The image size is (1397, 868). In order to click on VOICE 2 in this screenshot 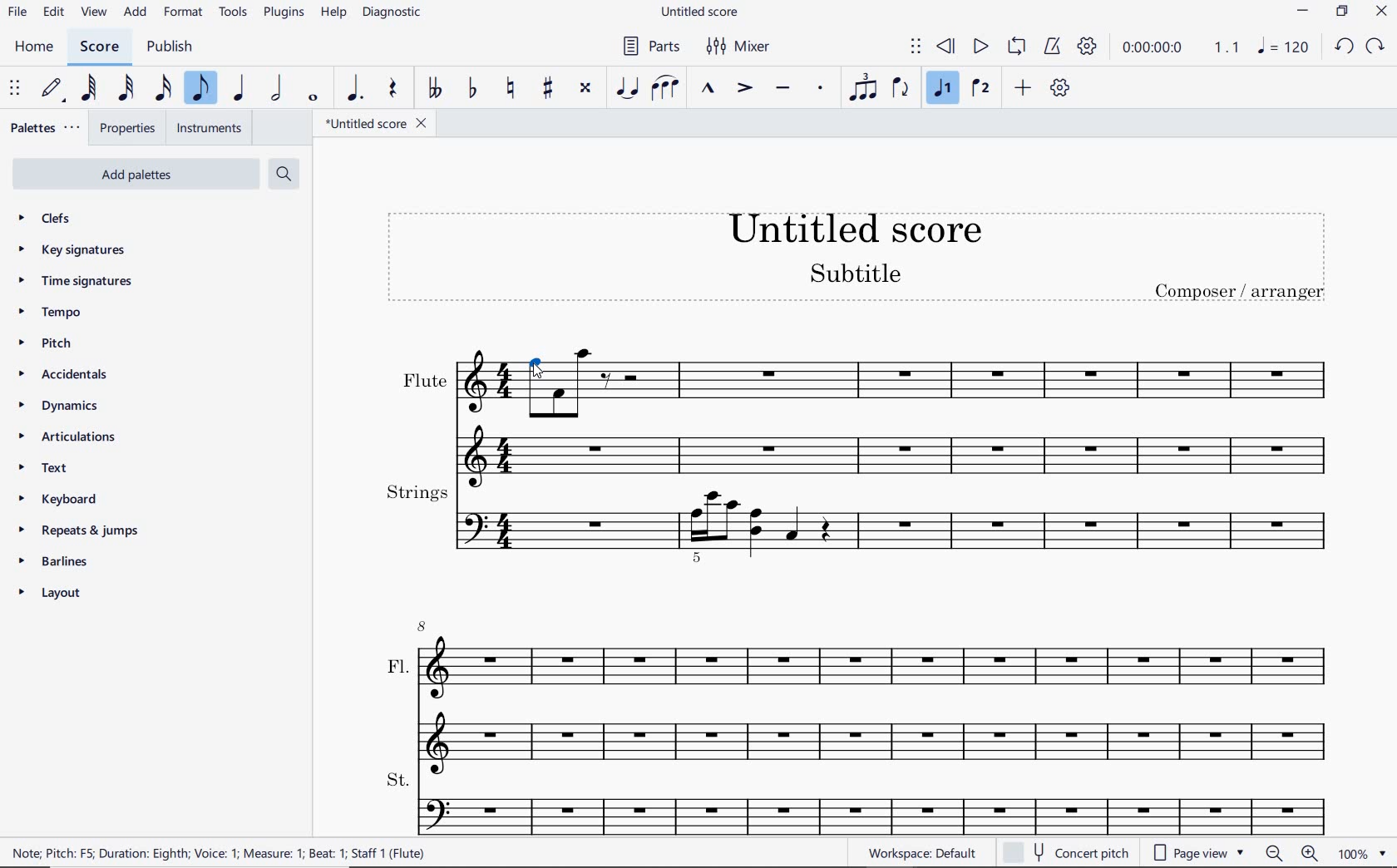, I will do `click(980, 89)`.